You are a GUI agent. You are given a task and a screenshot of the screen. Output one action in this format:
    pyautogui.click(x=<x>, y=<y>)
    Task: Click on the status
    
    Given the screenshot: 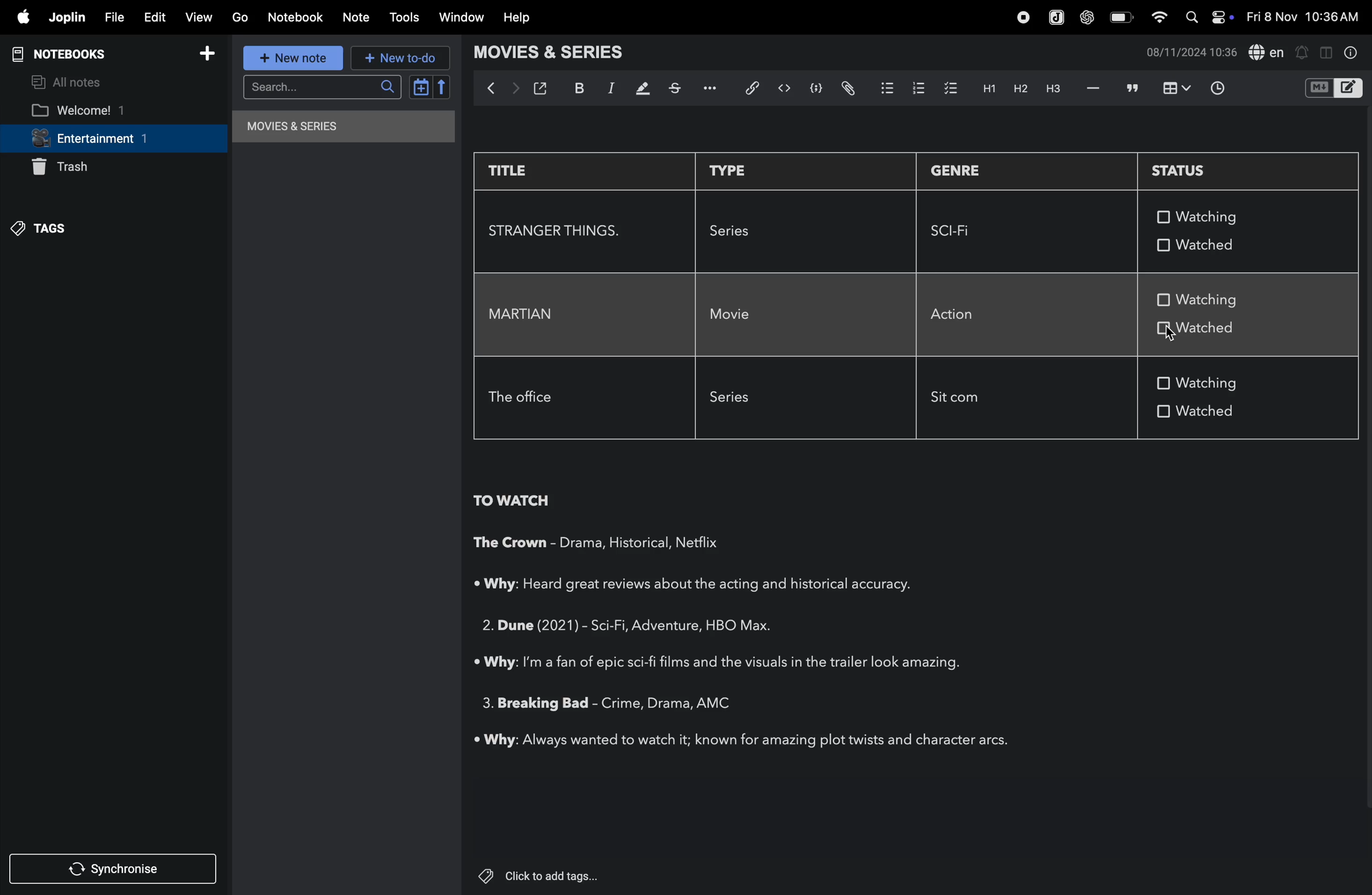 What is the action you would take?
    pyautogui.click(x=1199, y=170)
    